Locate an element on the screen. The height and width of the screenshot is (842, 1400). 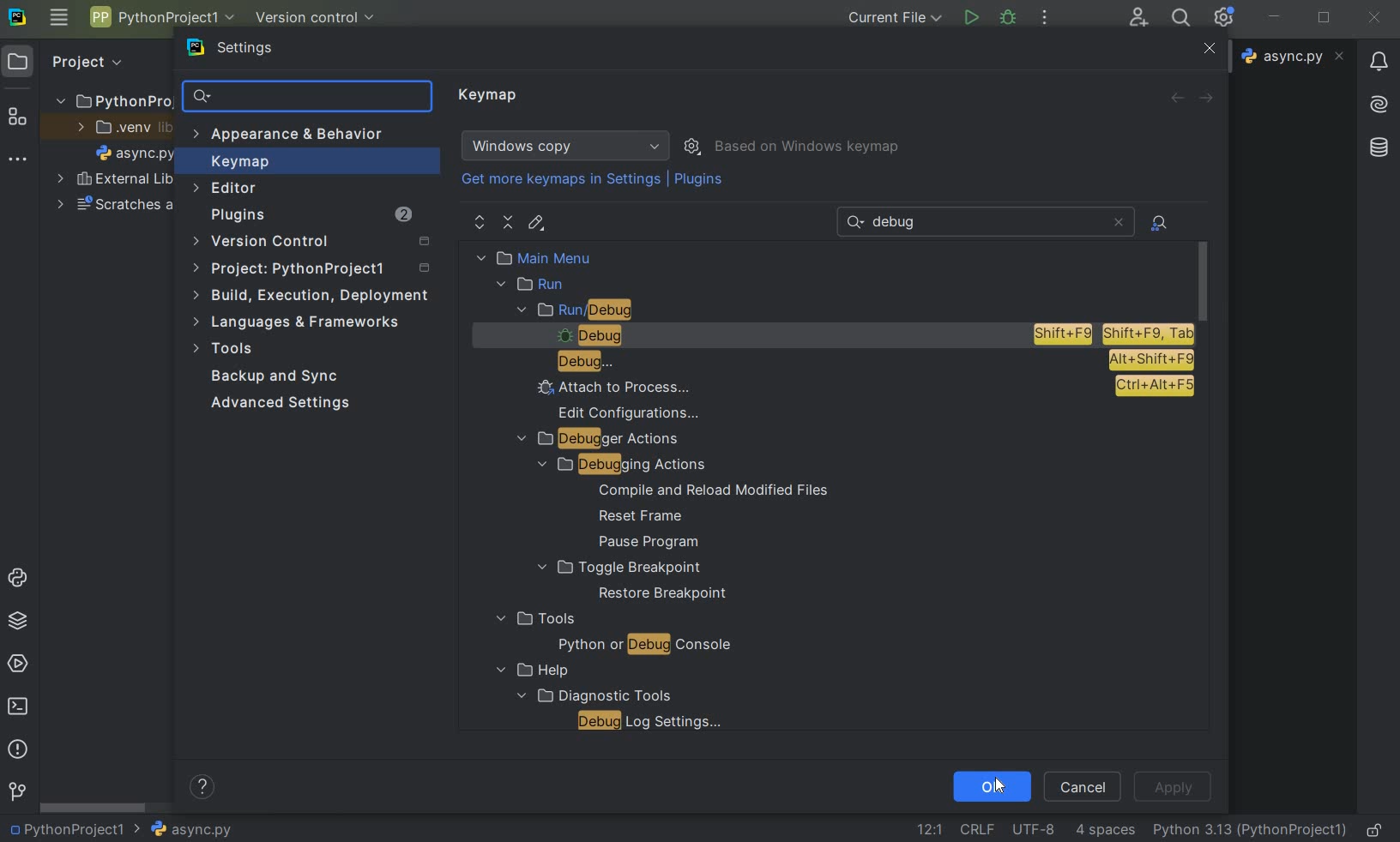
debug is located at coordinates (866, 335).